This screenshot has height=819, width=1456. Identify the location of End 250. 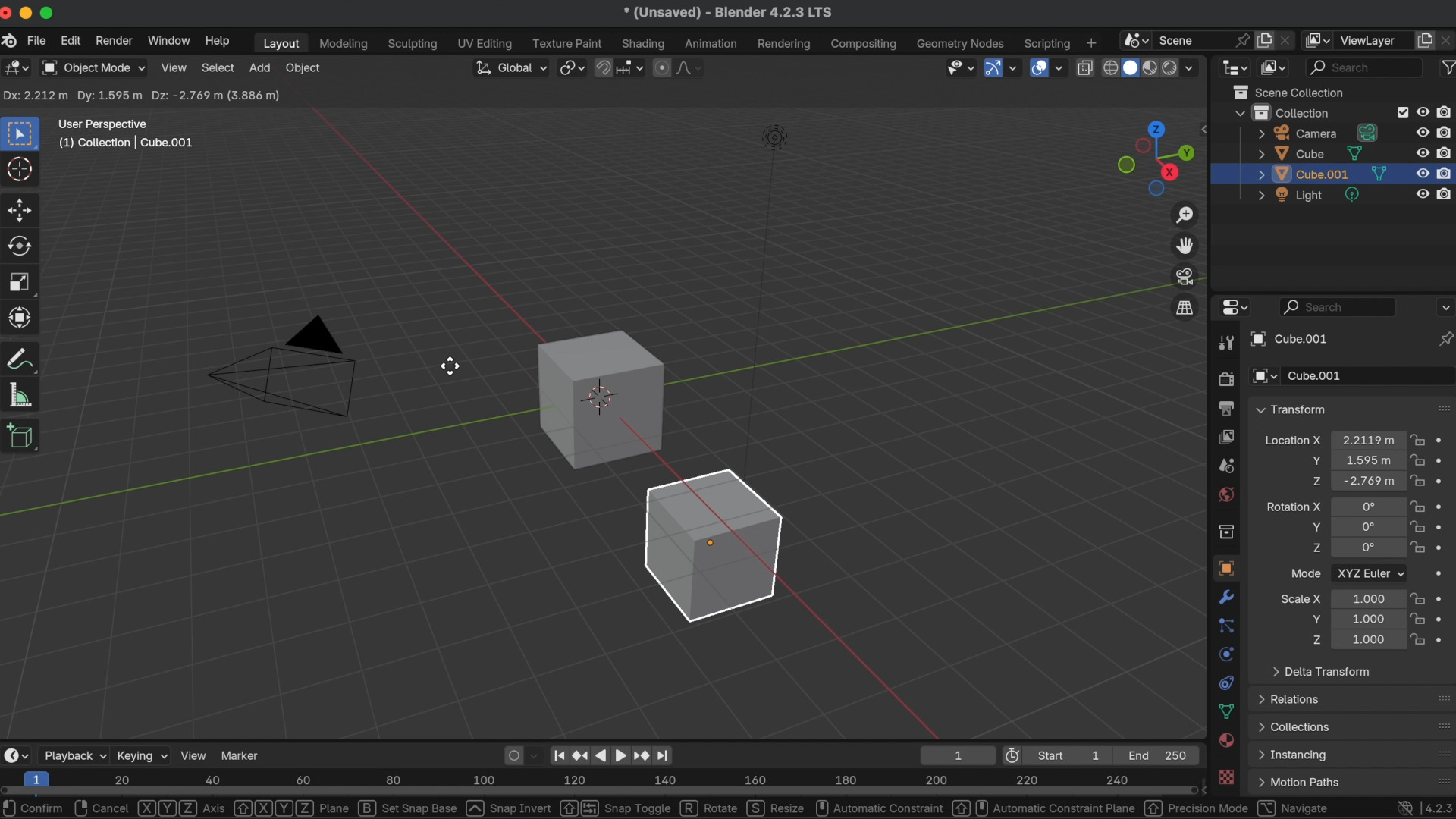
(1159, 755).